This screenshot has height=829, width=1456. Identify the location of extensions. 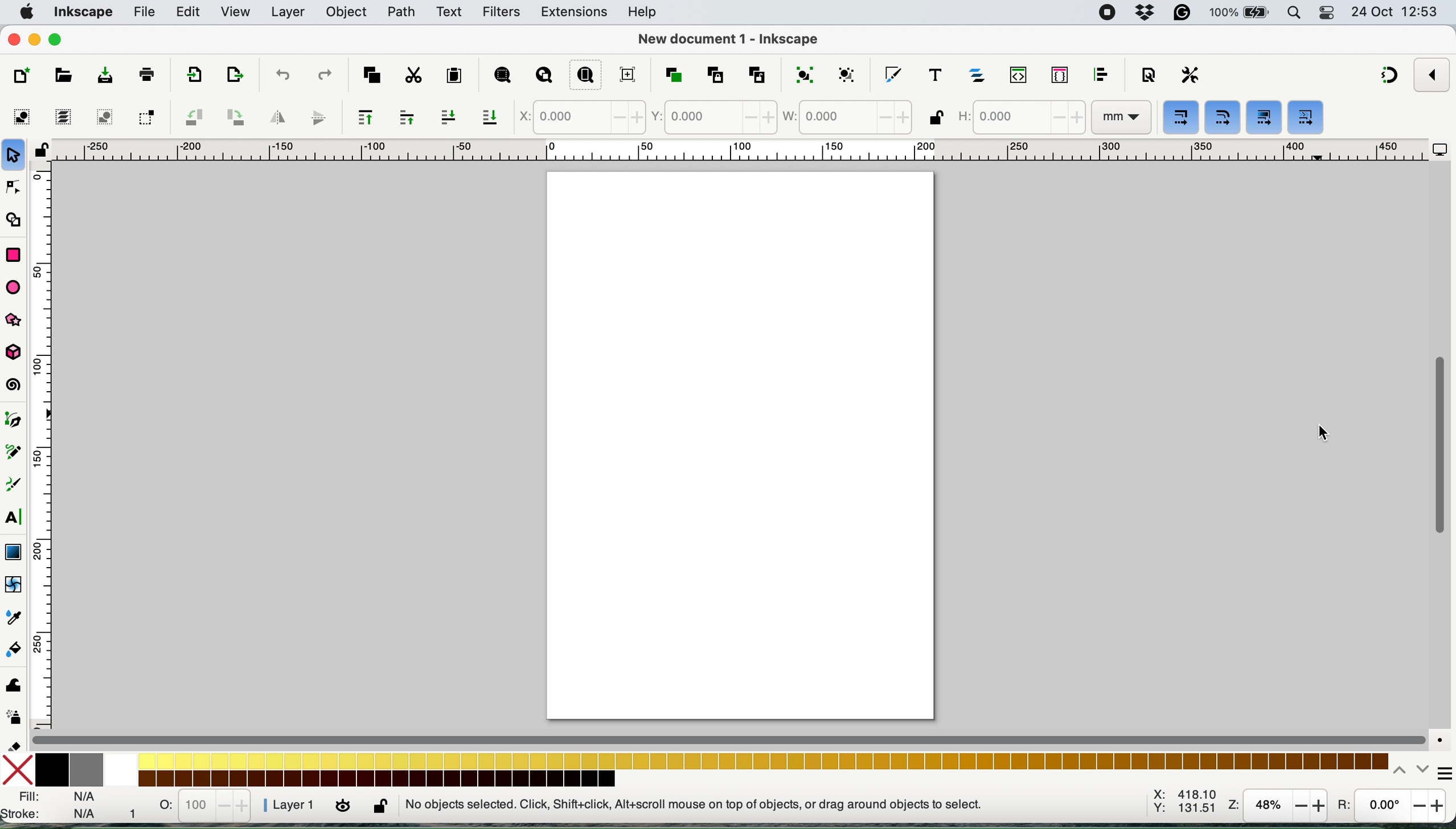
(575, 13).